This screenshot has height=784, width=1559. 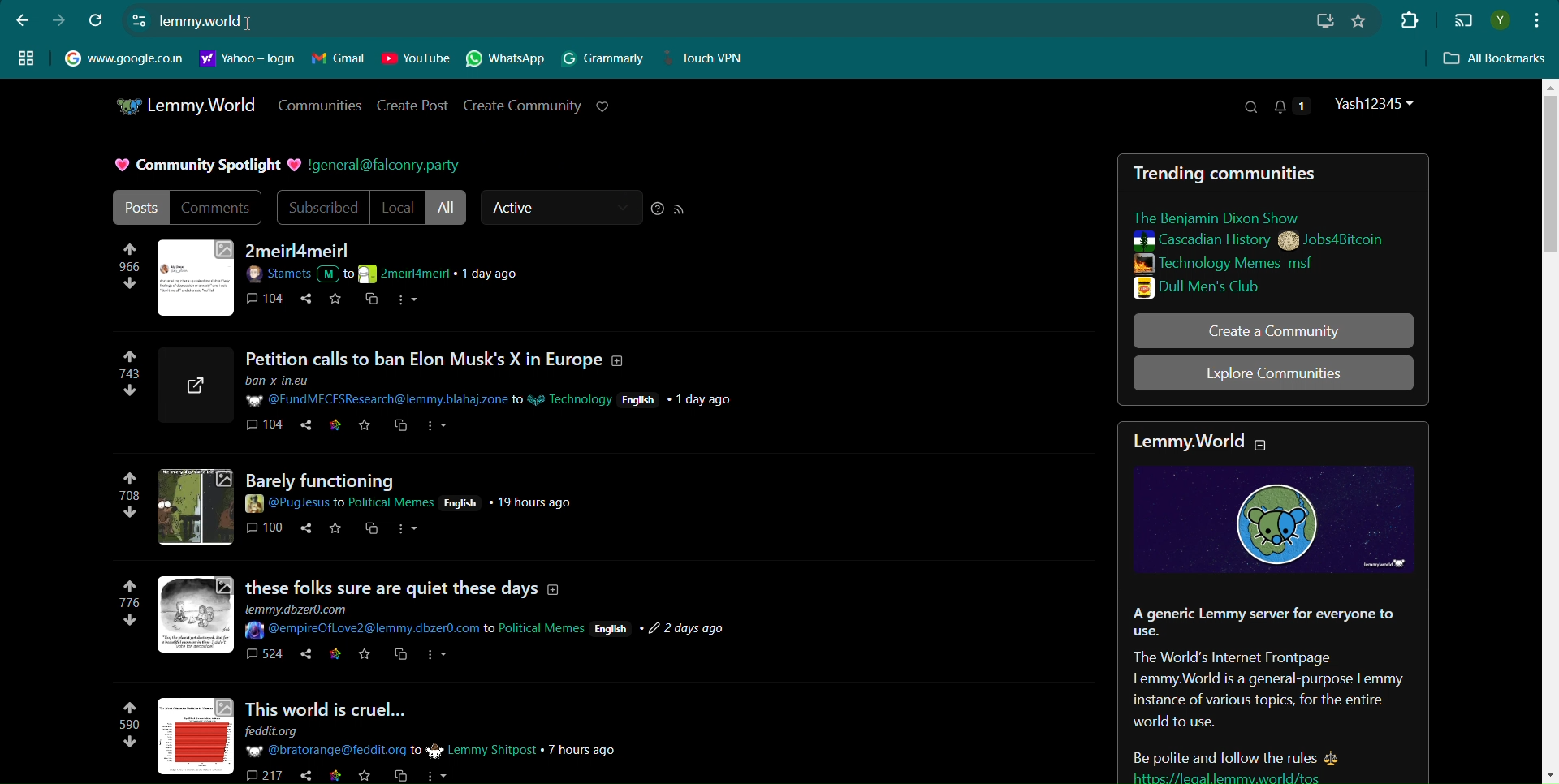 What do you see at coordinates (139, 207) in the screenshot?
I see `Post` at bounding box center [139, 207].